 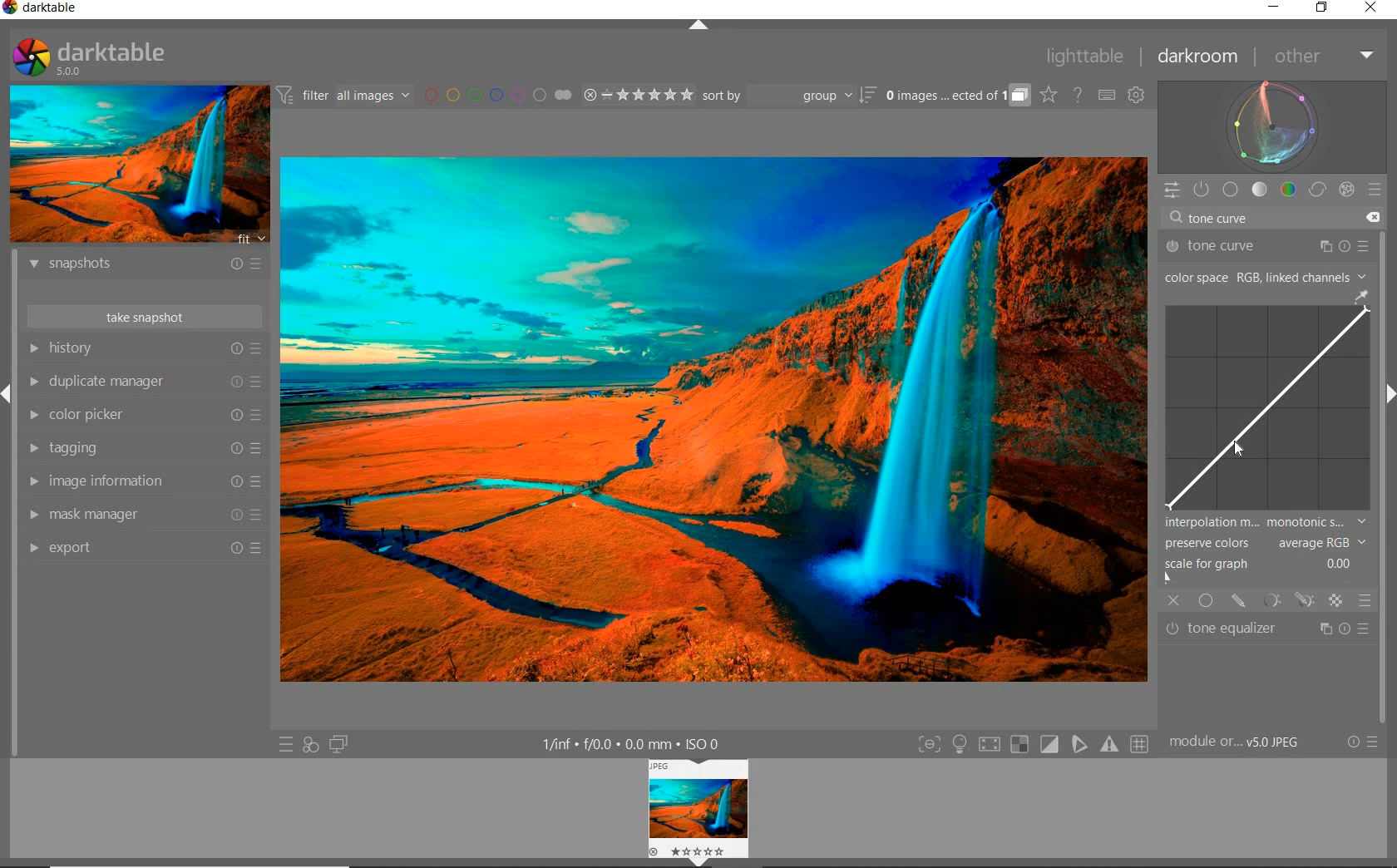 What do you see at coordinates (1287, 601) in the screenshot?
I see `MASK OPTIONS` at bounding box center [1287, 601].